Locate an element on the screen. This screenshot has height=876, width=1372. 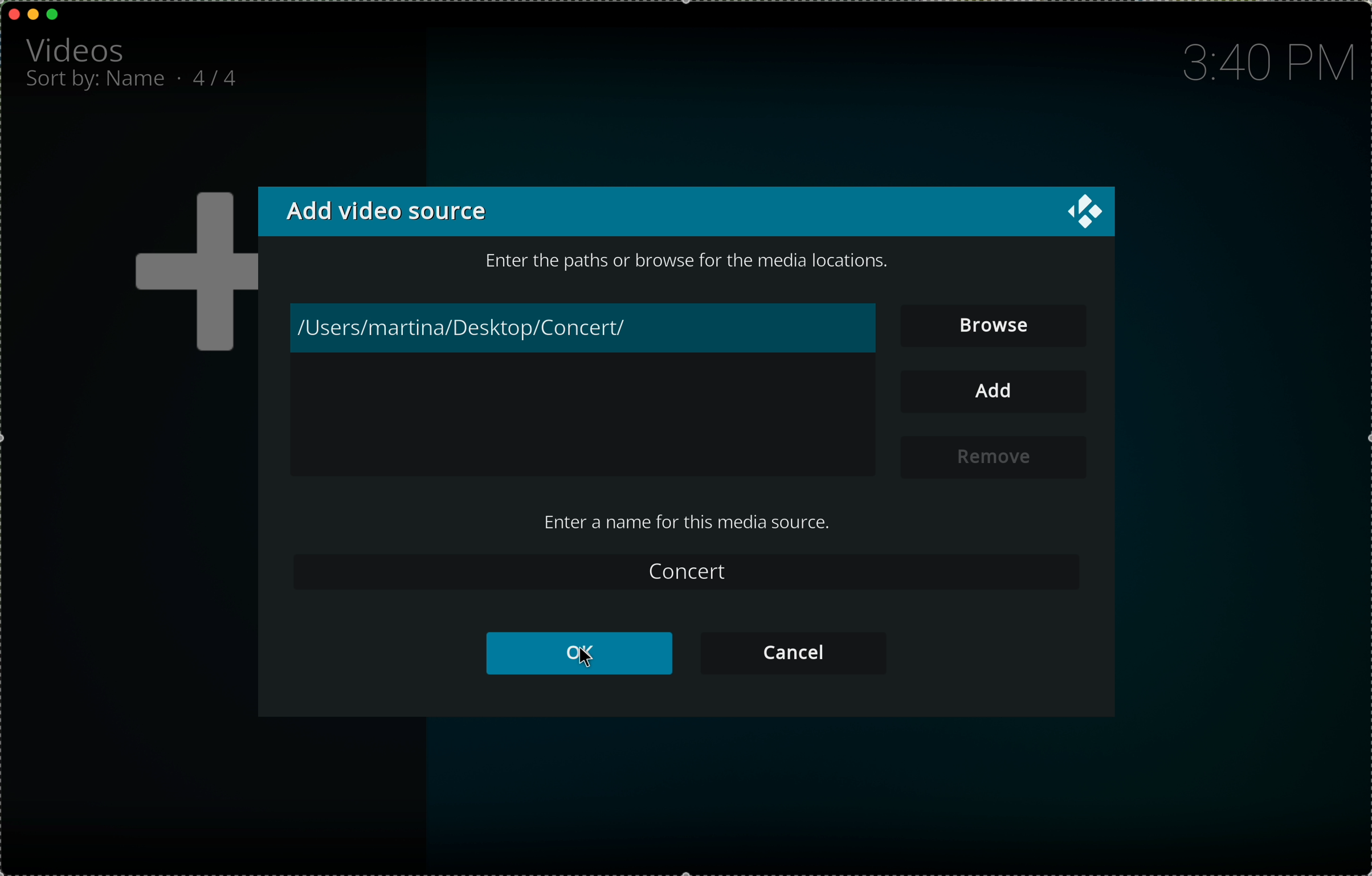
time is located at coordinates (1265, 63).